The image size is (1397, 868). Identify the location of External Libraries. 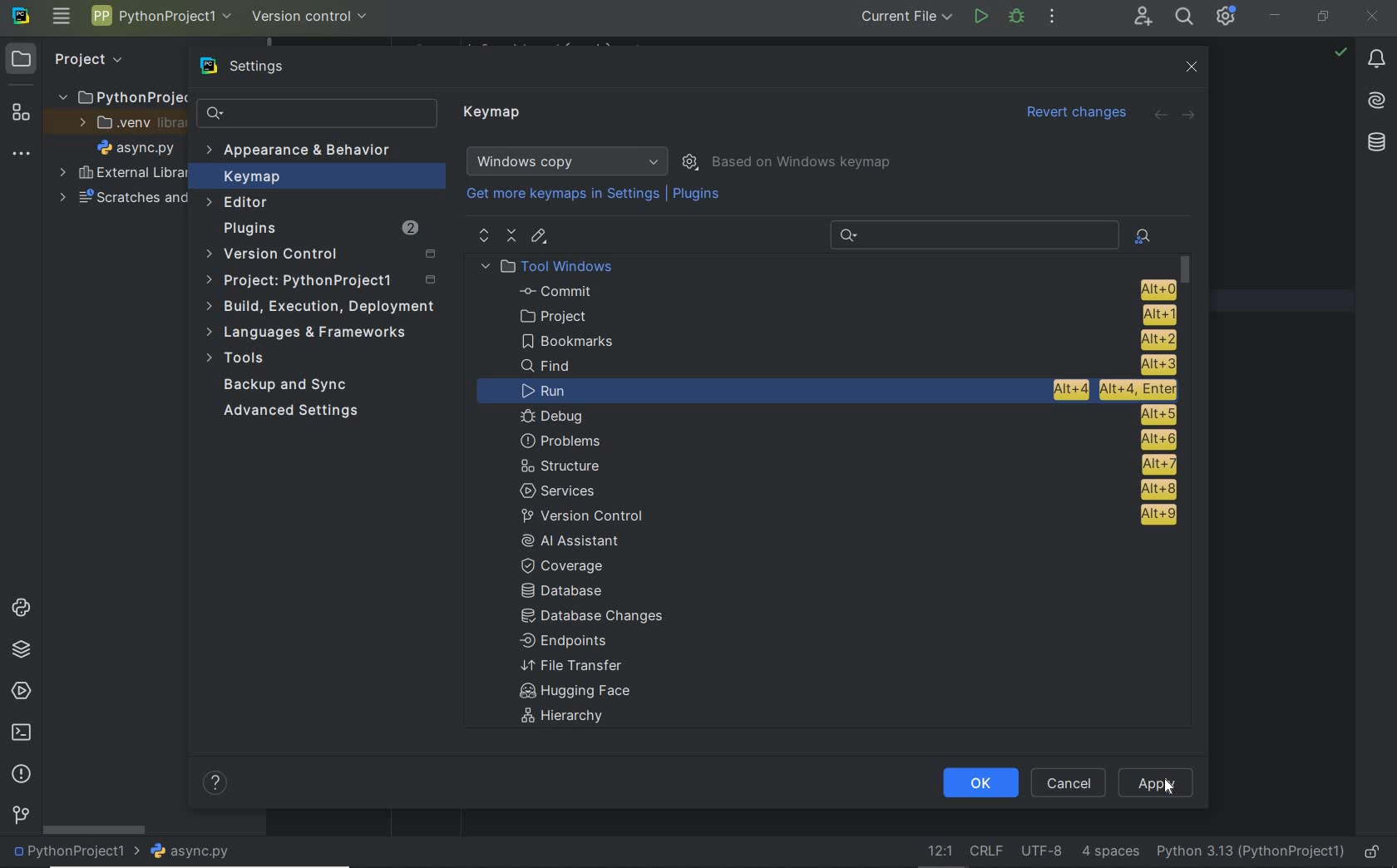
(119, 174).